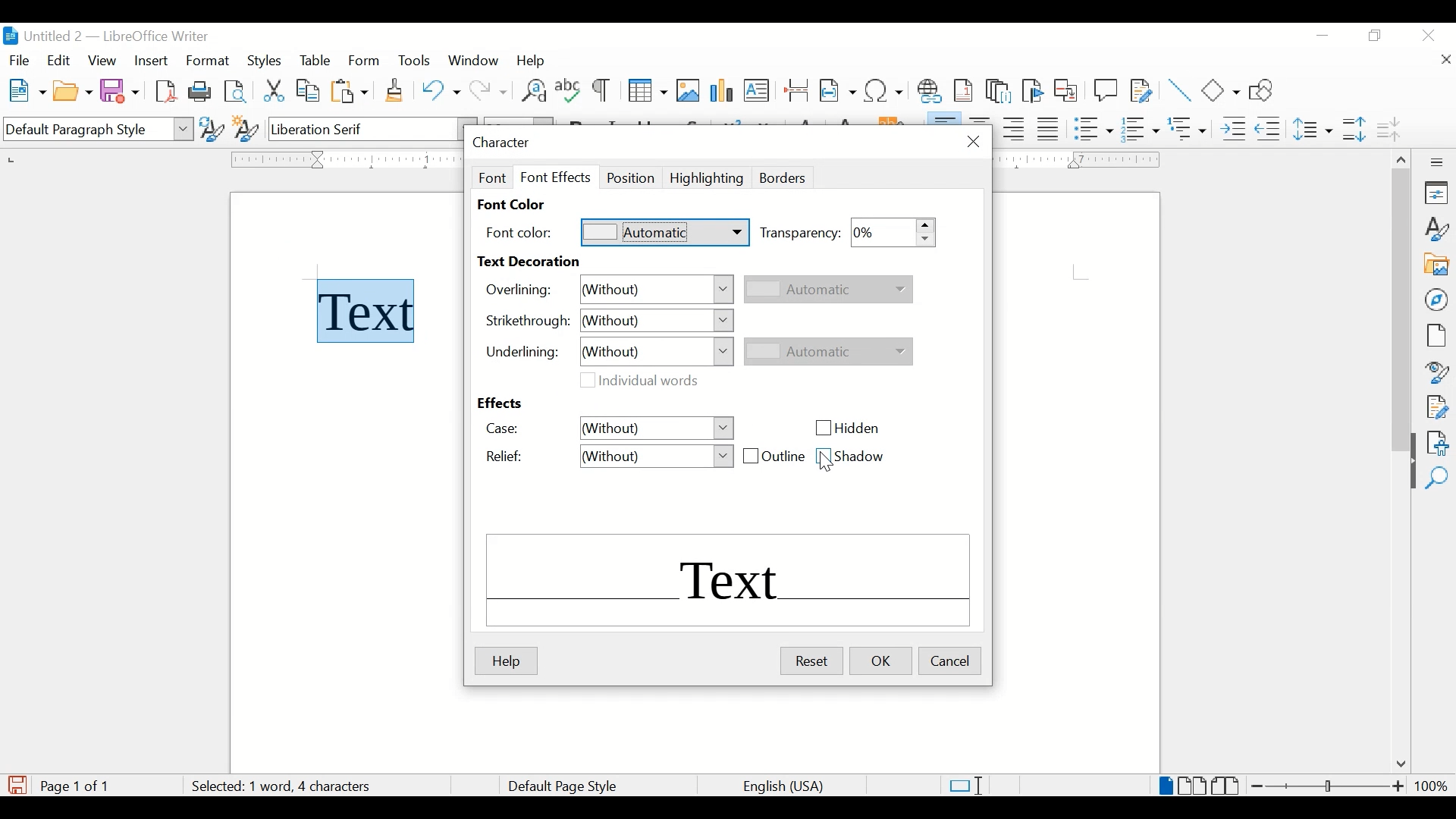 The height and width of the screenshot is (819, 1456). I want to click on insert, so click(150, 61).